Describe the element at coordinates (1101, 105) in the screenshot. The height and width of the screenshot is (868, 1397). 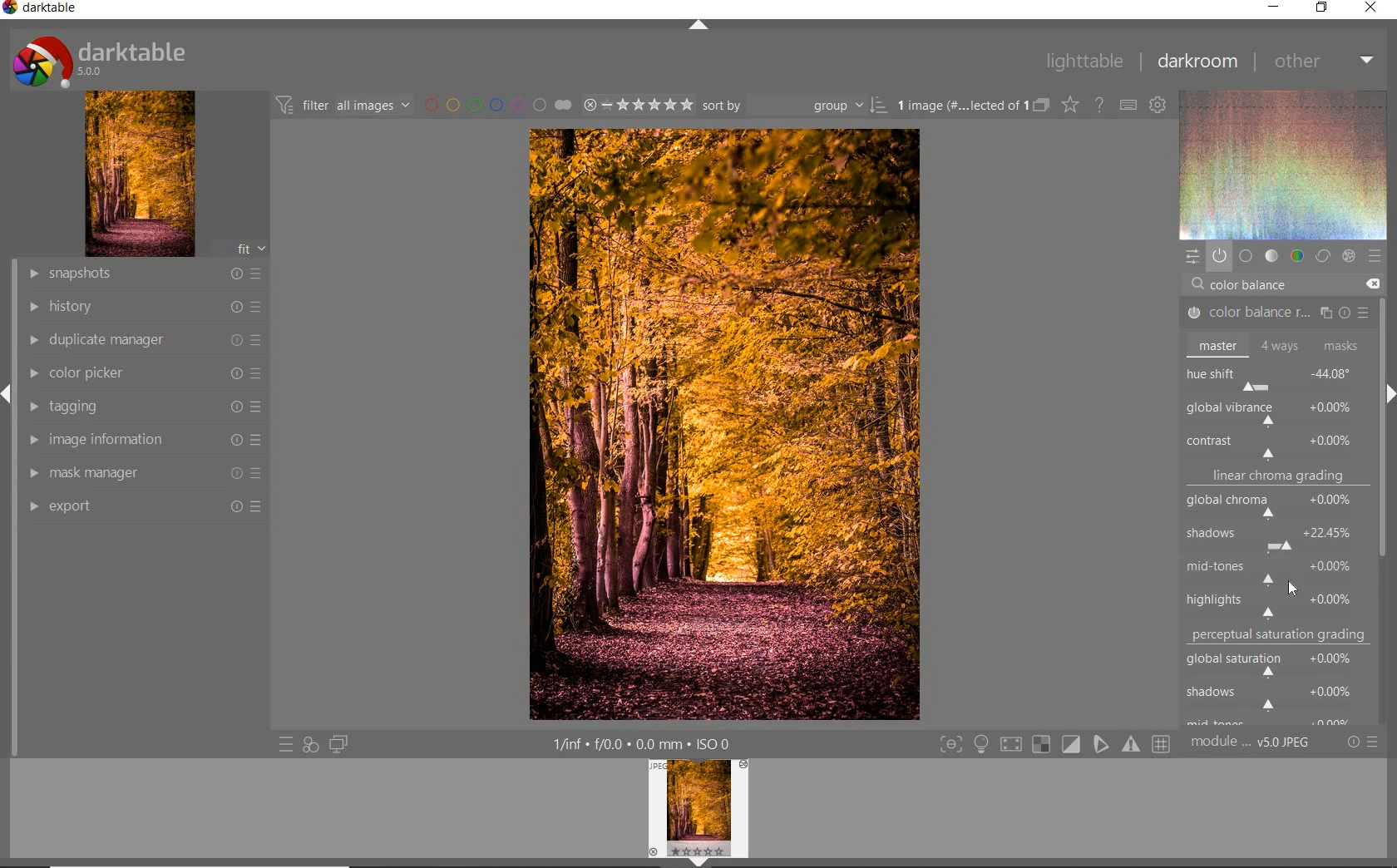
I see `enable for online help` at that location.